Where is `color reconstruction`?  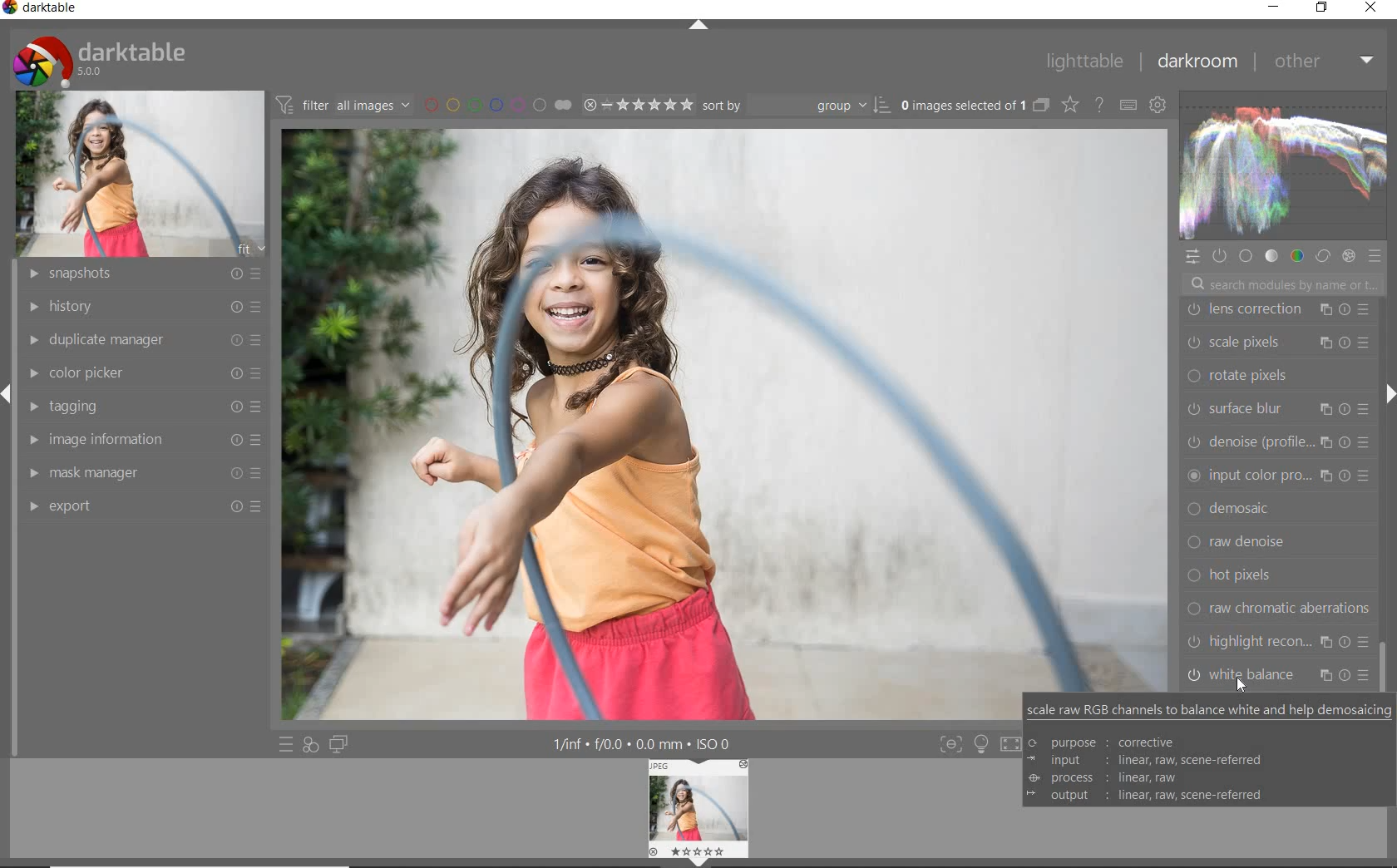 color reconstruction is located at coordinates (1281, 446).